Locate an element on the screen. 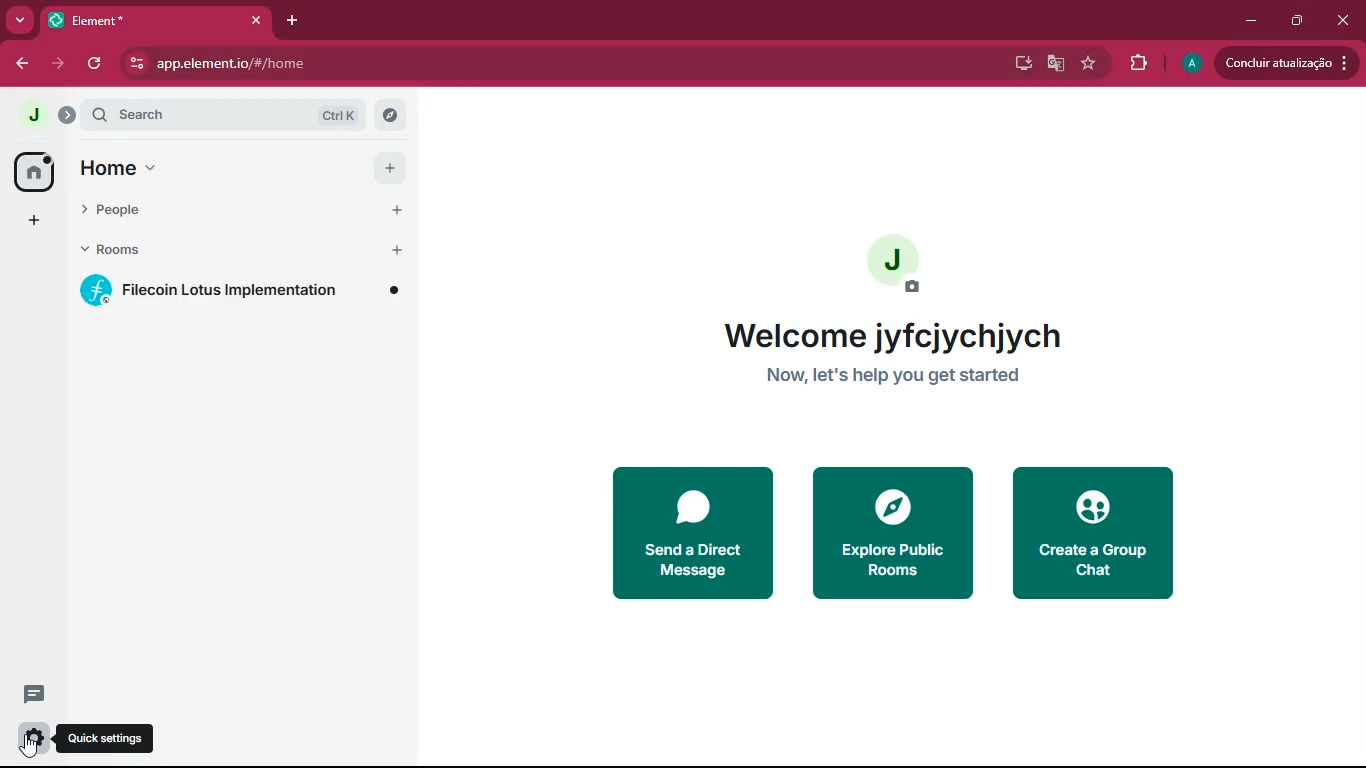  maximize is located at coordinates (1299, 19).